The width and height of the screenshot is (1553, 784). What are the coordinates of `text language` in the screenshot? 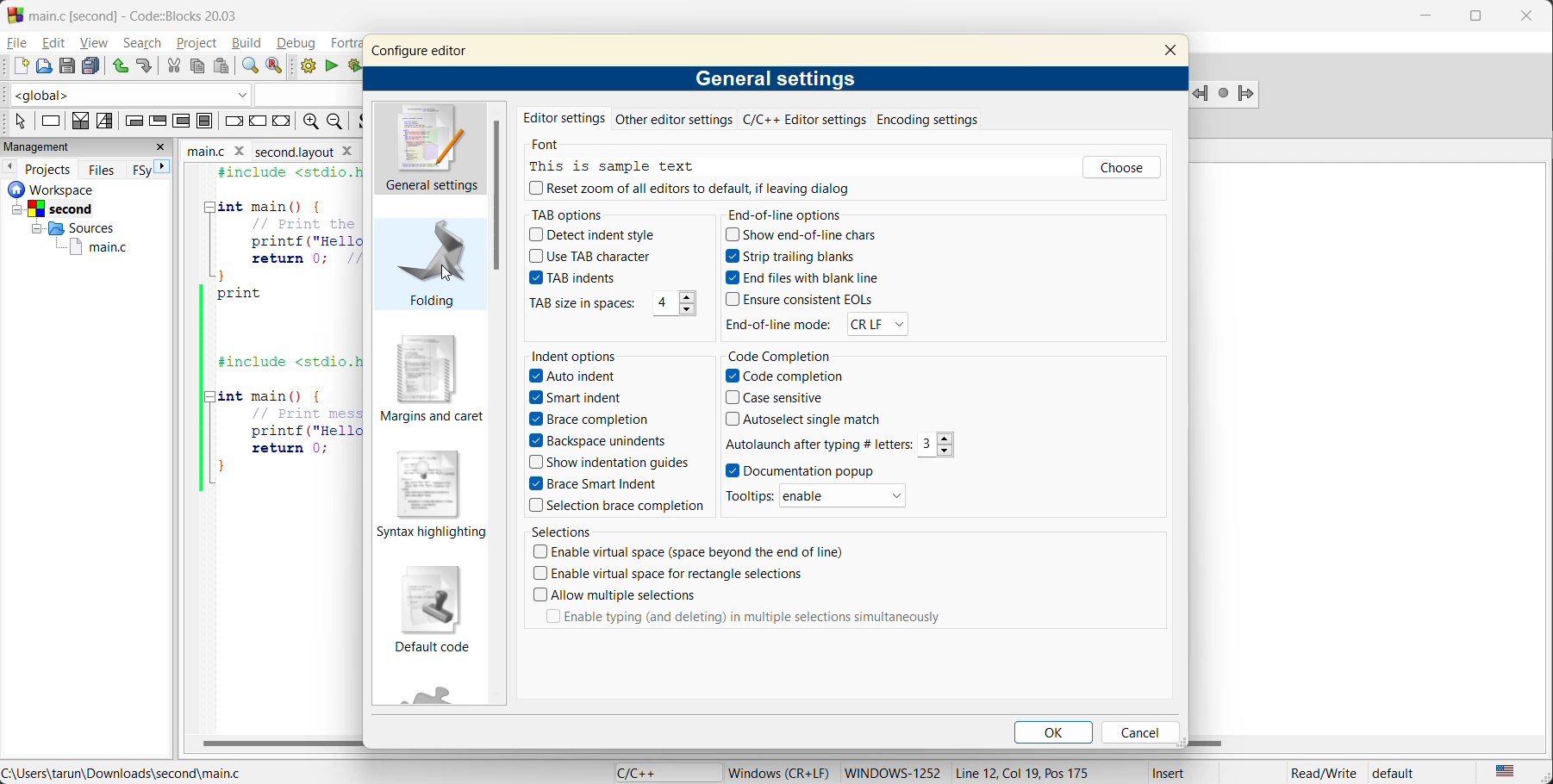 It's located at (1505, 772).